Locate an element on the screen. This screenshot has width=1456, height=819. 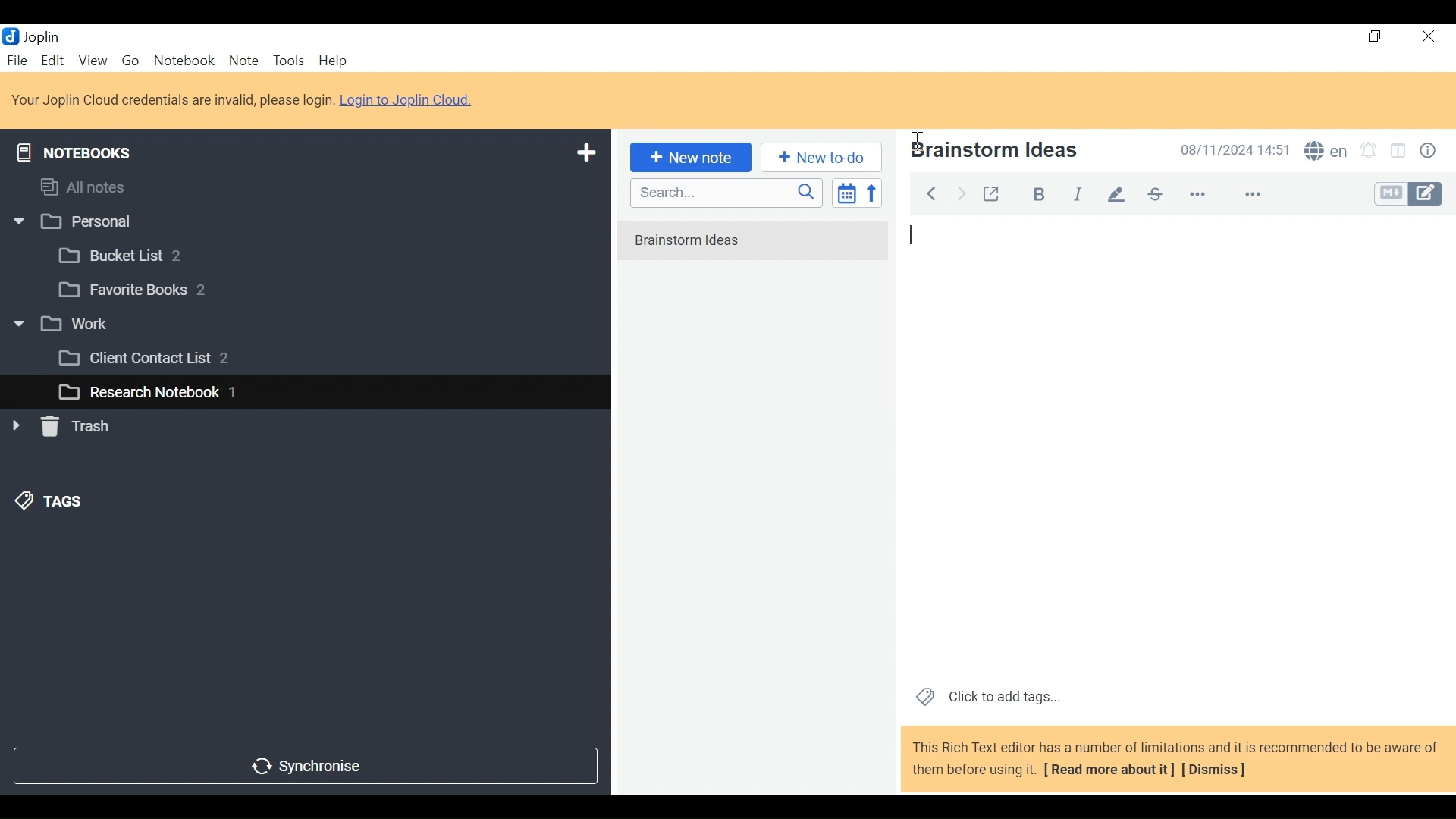
Forward is located at coordinates (962, 192).